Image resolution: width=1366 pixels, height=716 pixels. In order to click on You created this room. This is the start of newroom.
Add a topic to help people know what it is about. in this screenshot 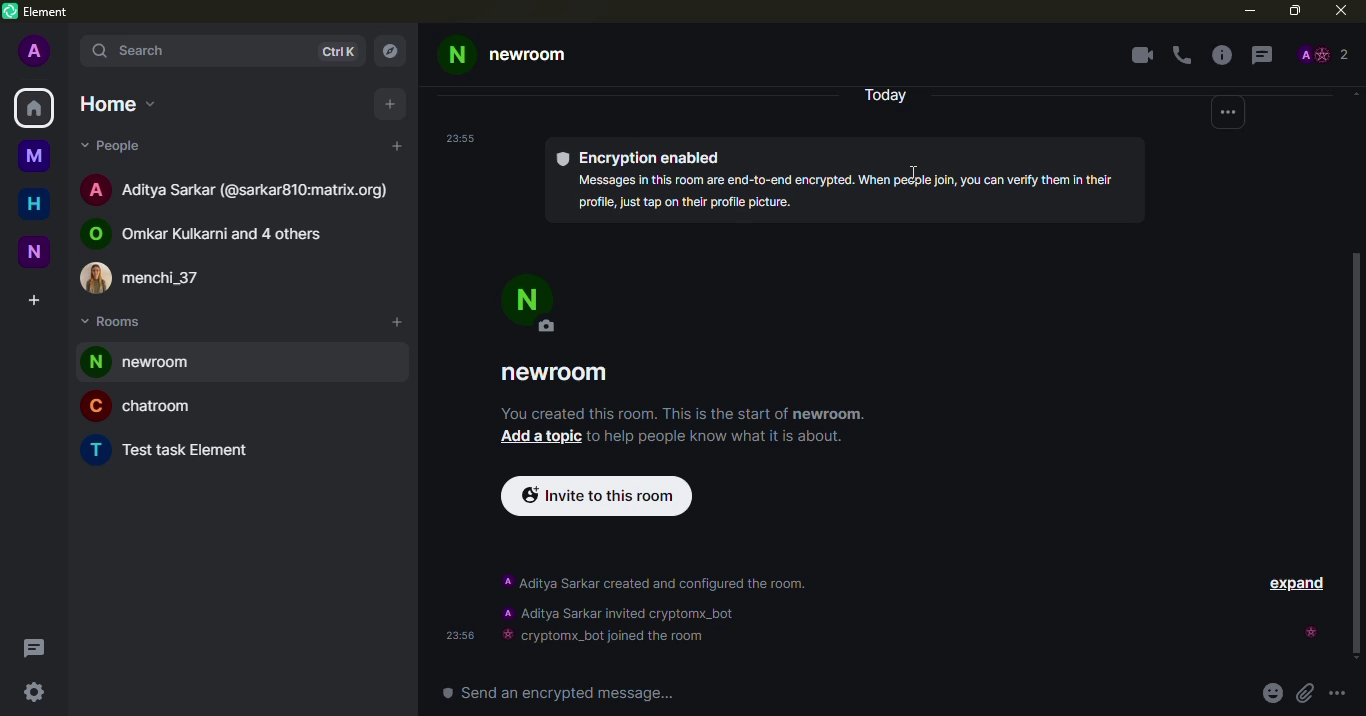, I will do `click(688, 426)`.